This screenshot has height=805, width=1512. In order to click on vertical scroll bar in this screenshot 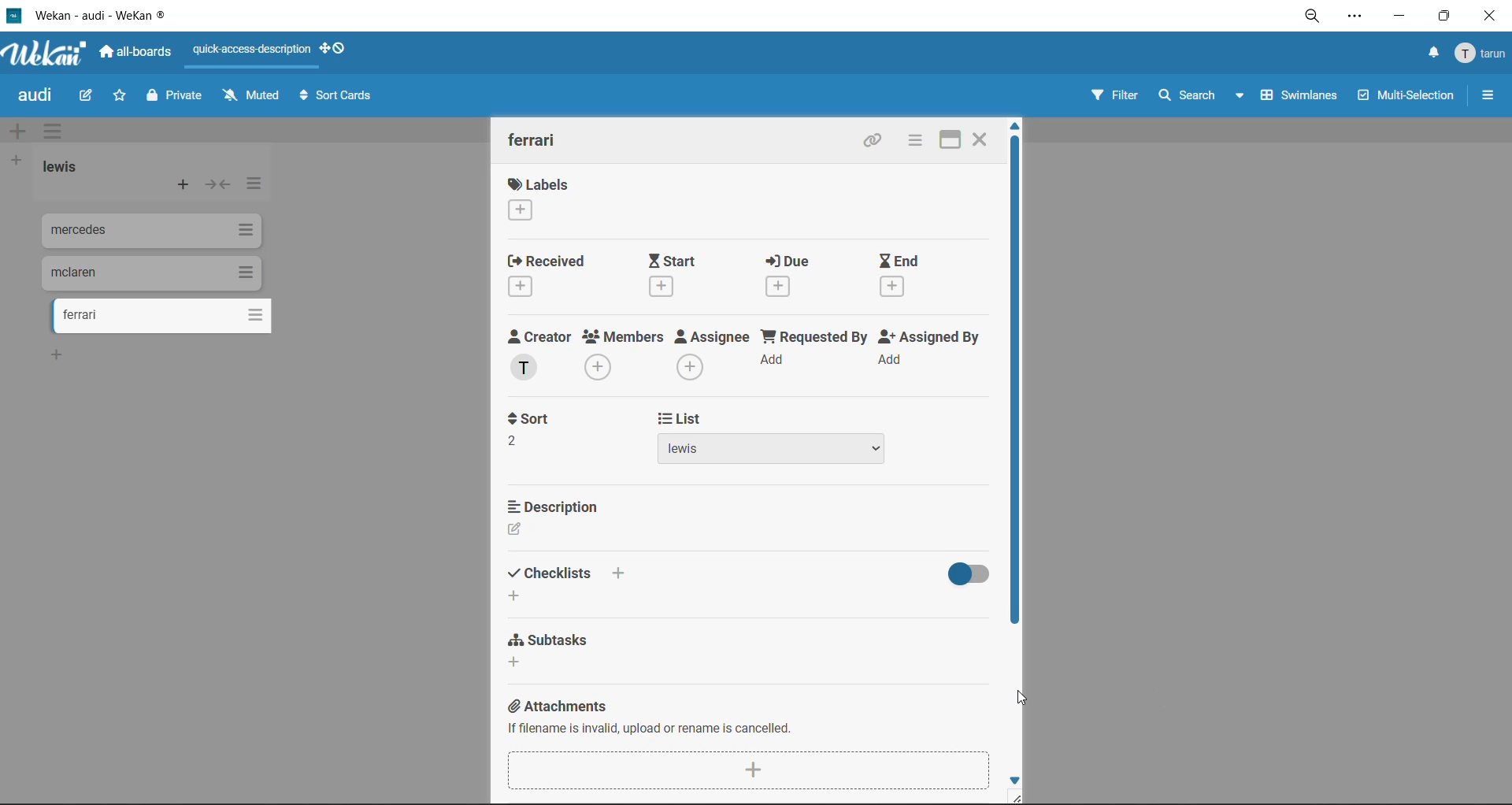, I will do `click(1021, 383)`.